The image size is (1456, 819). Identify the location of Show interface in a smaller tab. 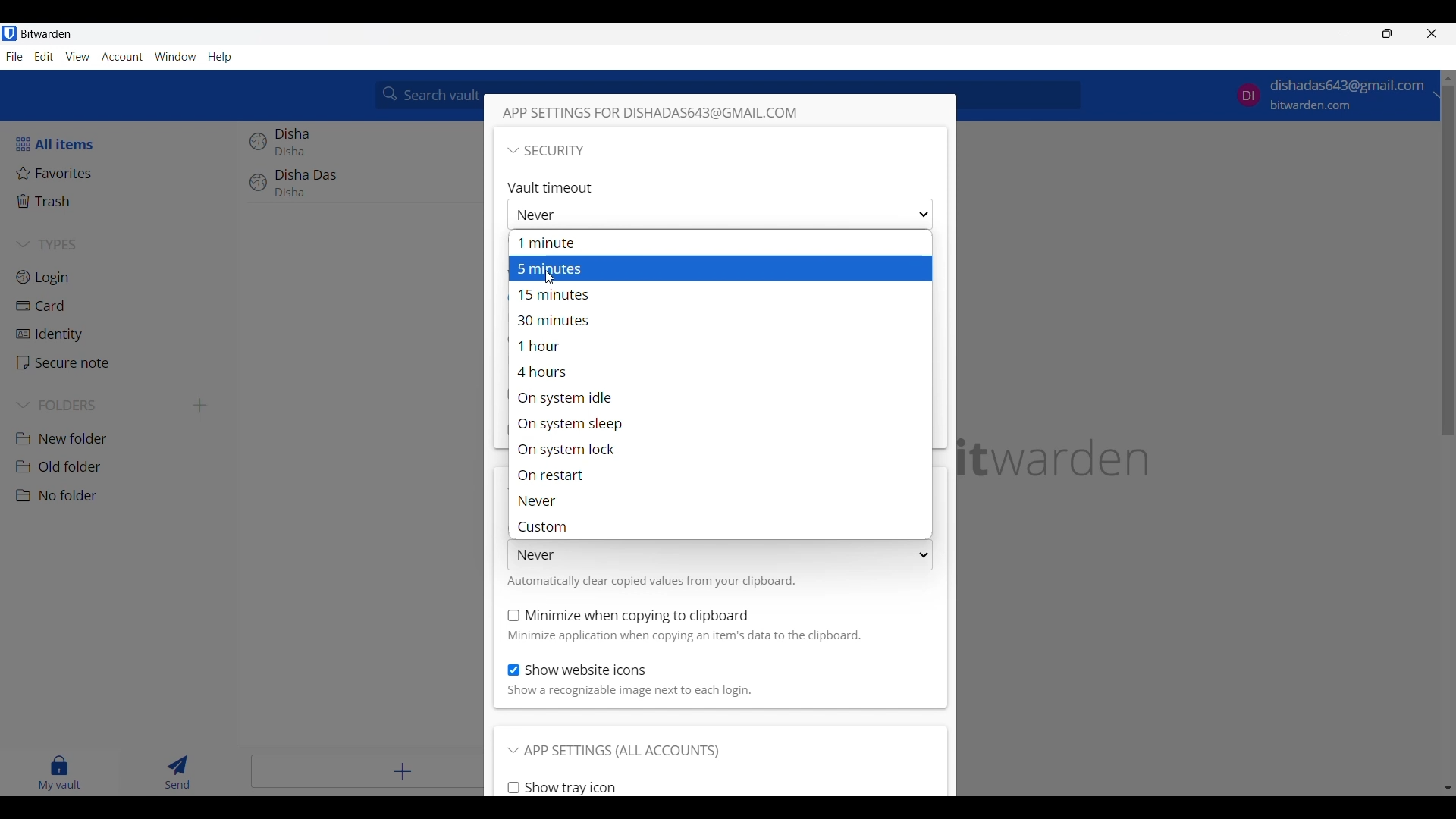
(1387, 33).